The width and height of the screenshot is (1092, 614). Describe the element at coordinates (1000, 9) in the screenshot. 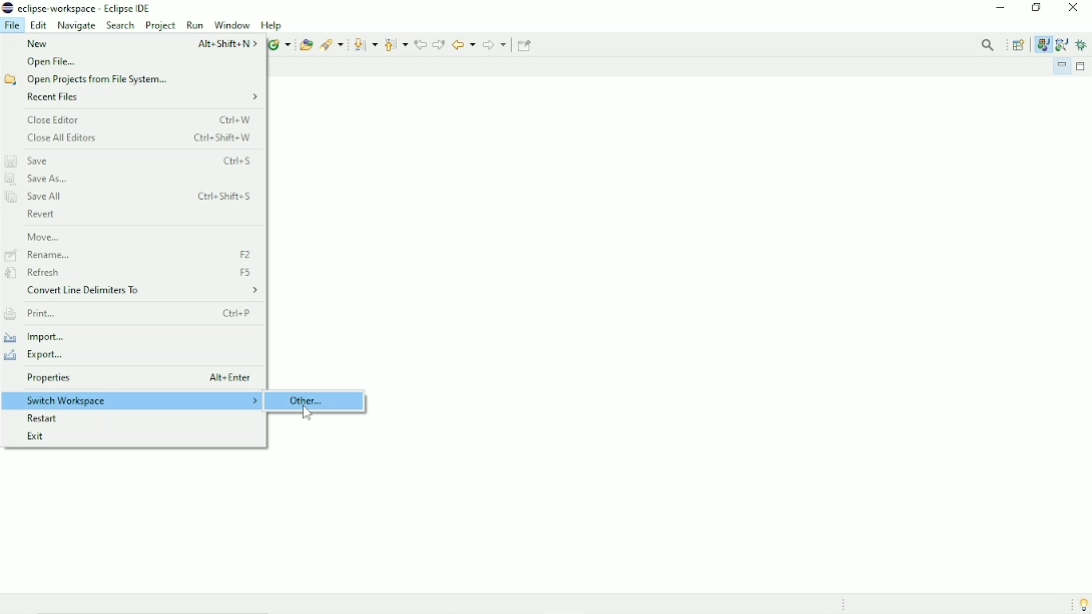

I see `Minimize` at that location.